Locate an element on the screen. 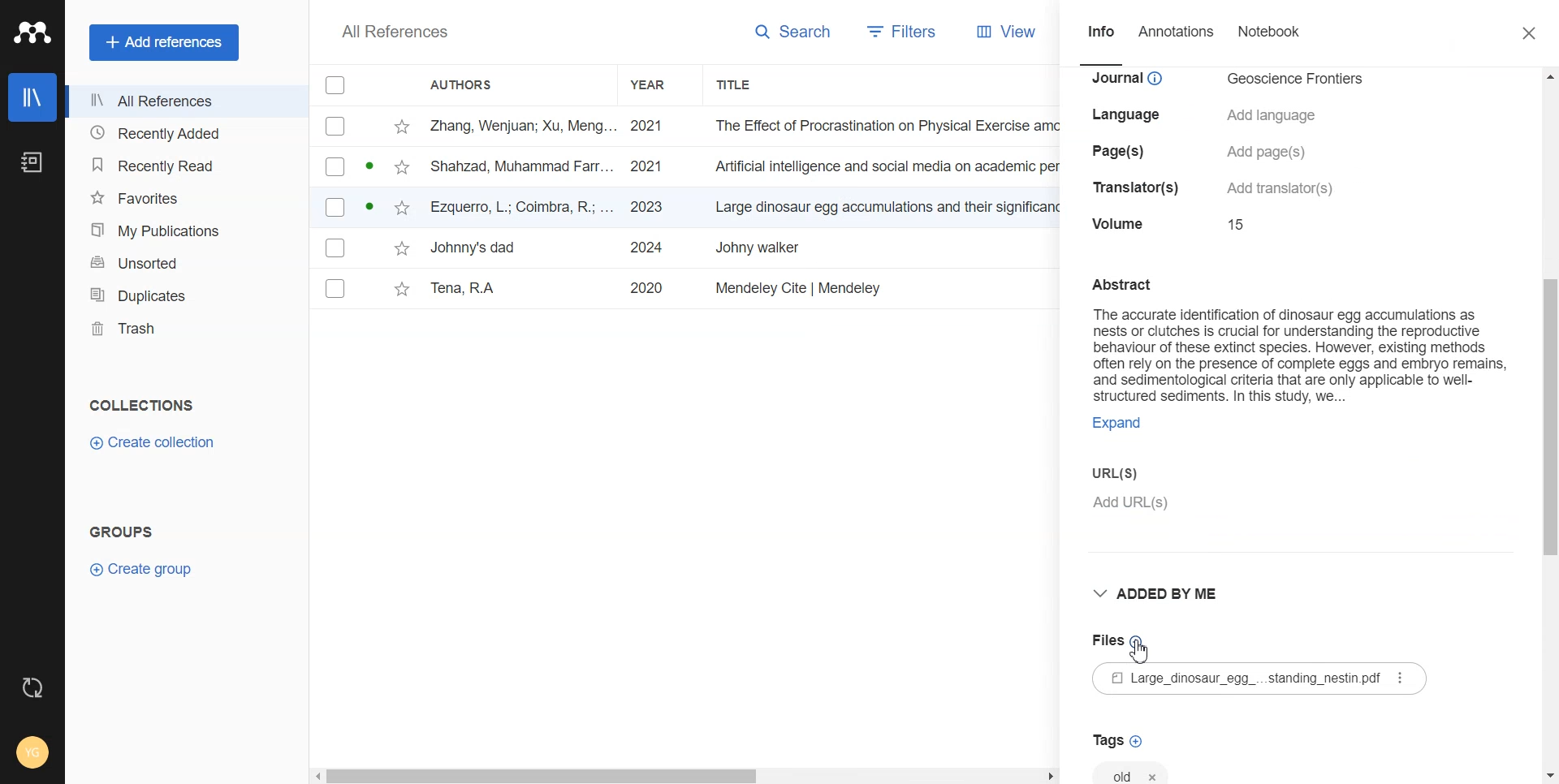 The height and width of the screenshot is (784, 1559). Added by me is located at coordinates (1161, 596).